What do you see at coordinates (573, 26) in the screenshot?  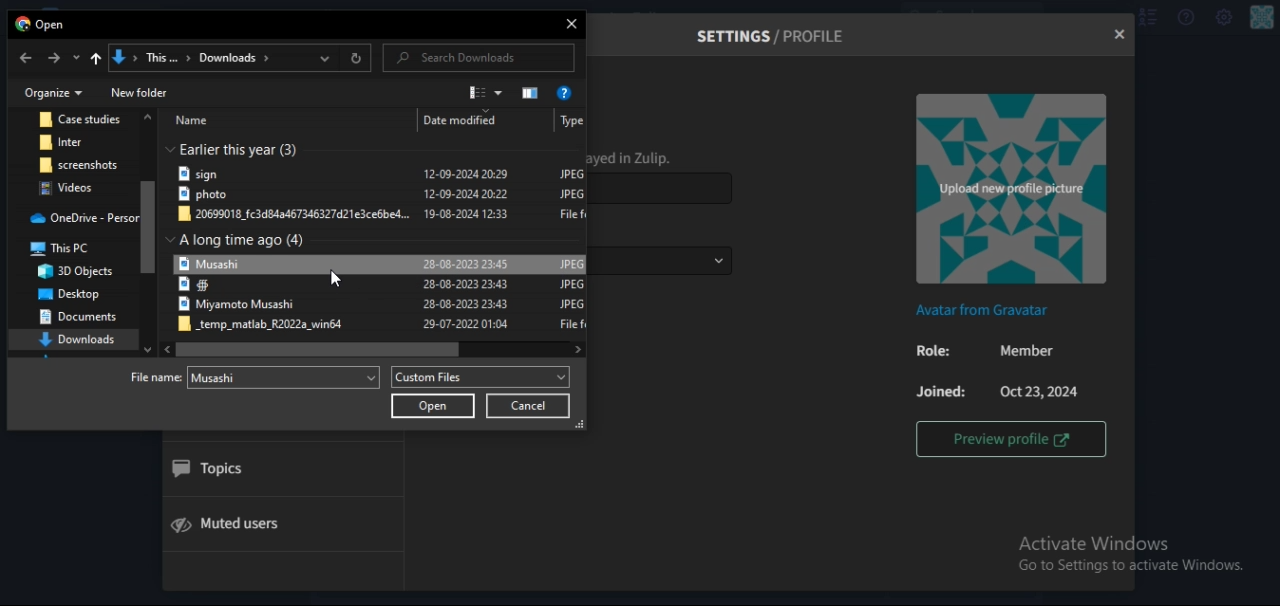 I see `close` at bounding box center [573, 26].